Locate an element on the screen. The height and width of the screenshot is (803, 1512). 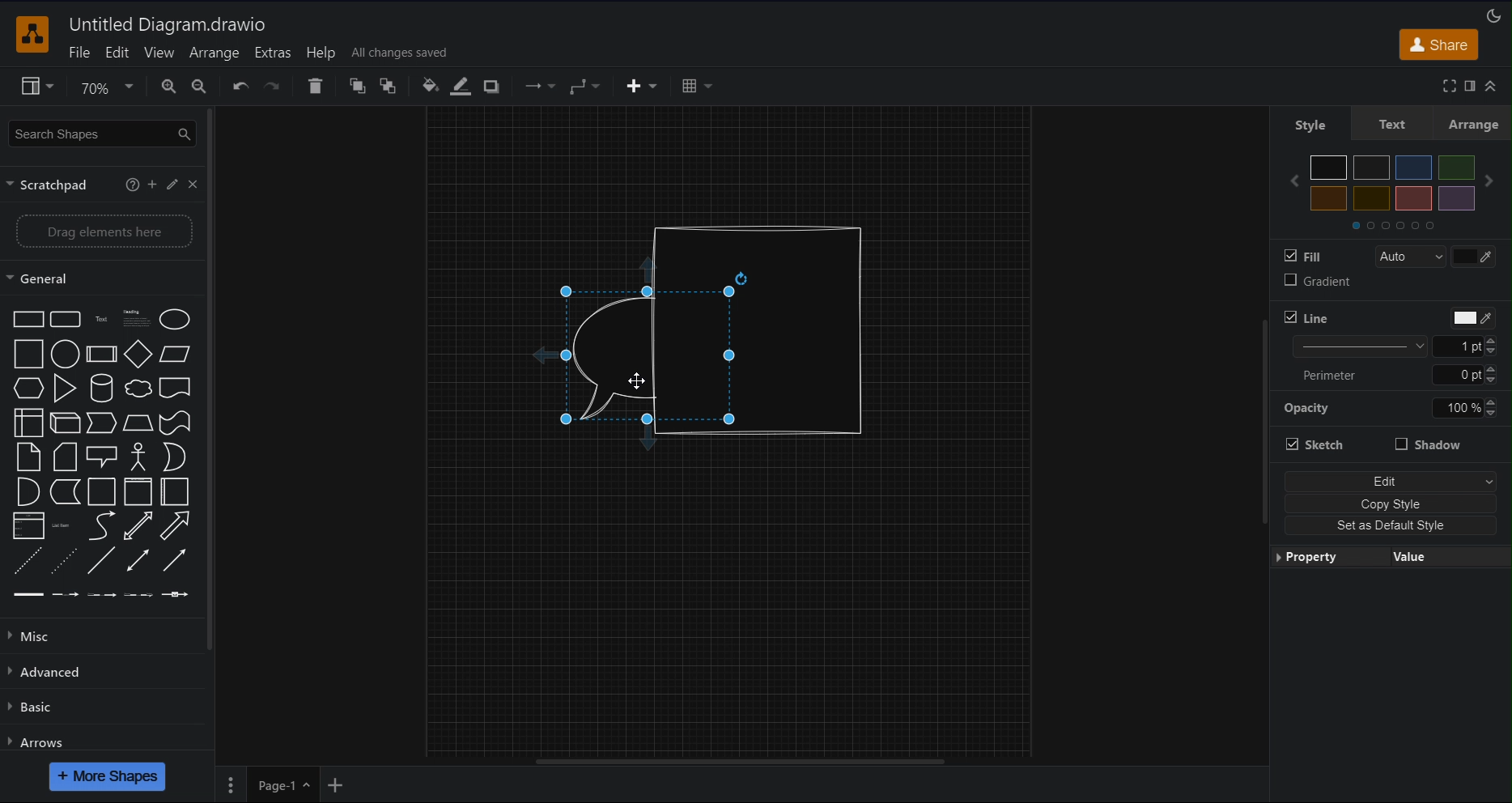
Fill Color is located at coordinates (428, 86).